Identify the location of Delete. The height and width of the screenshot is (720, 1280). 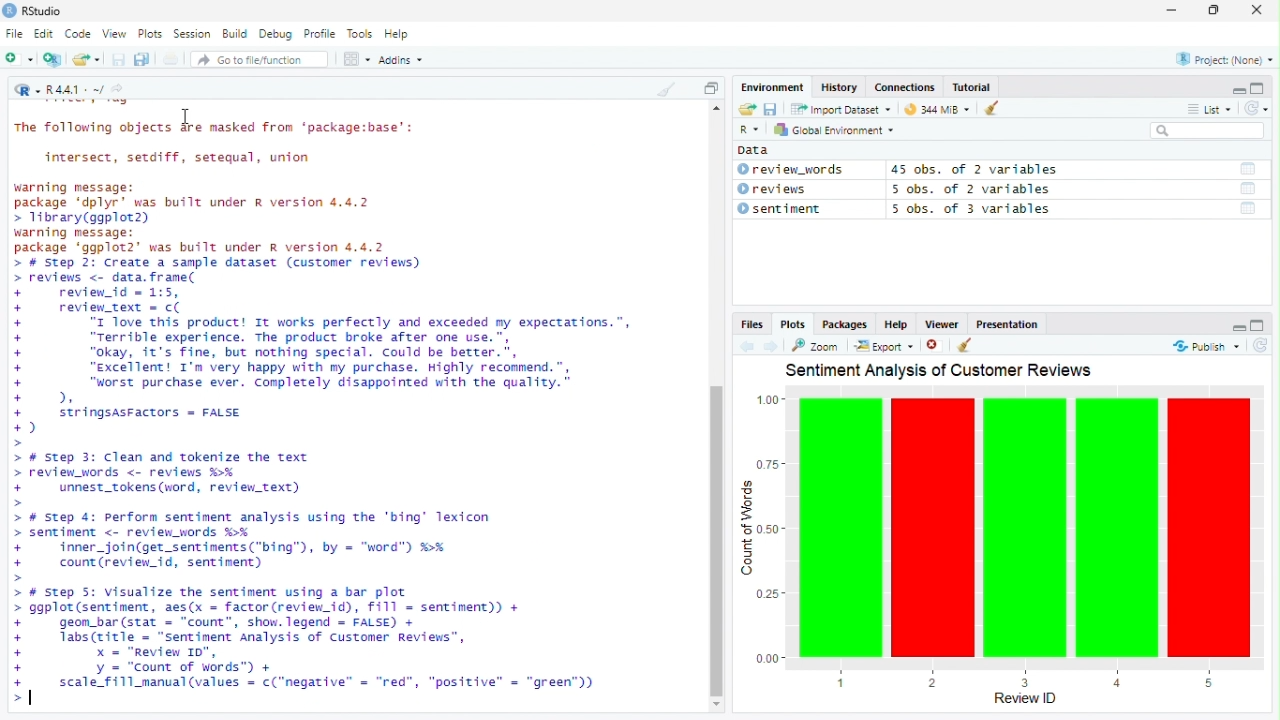
(934, 345).